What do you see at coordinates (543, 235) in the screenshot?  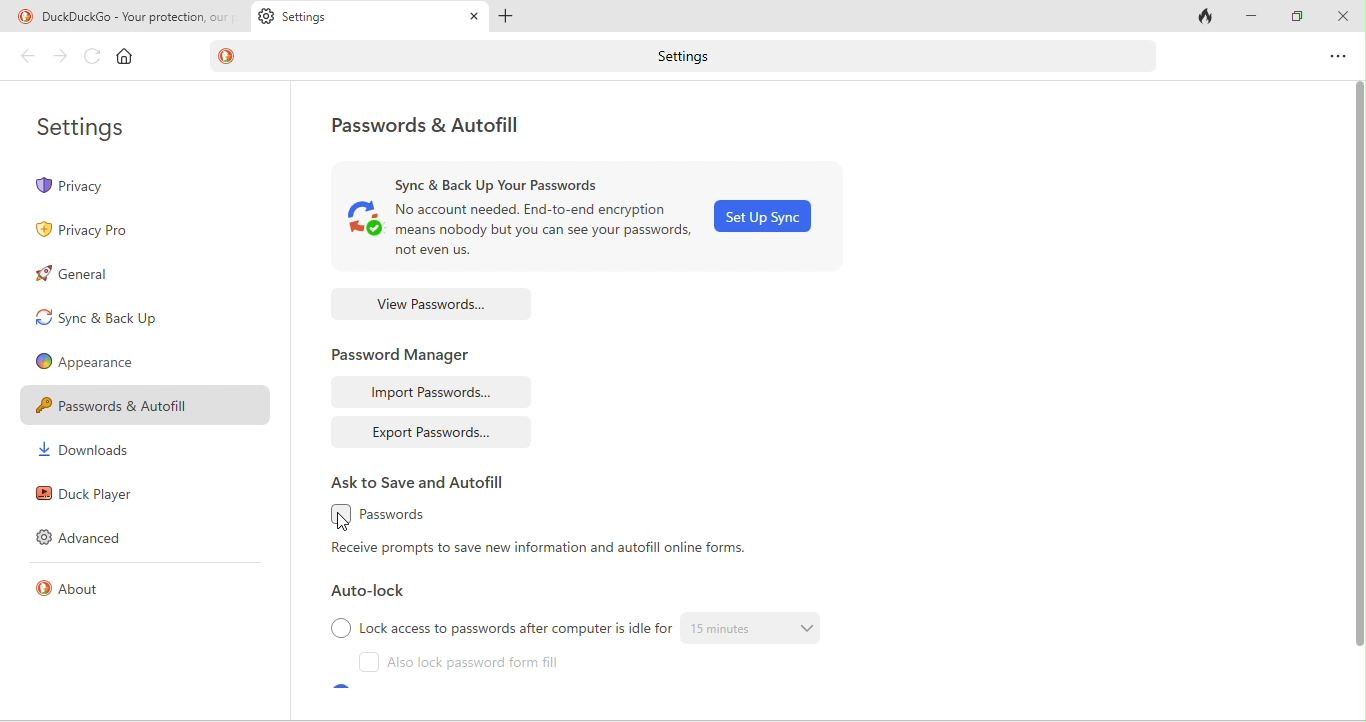 I see `No account needed. End-to-end encryption means nobody but you can see your passwords ,not even us.` at bounding box center [543, 235].